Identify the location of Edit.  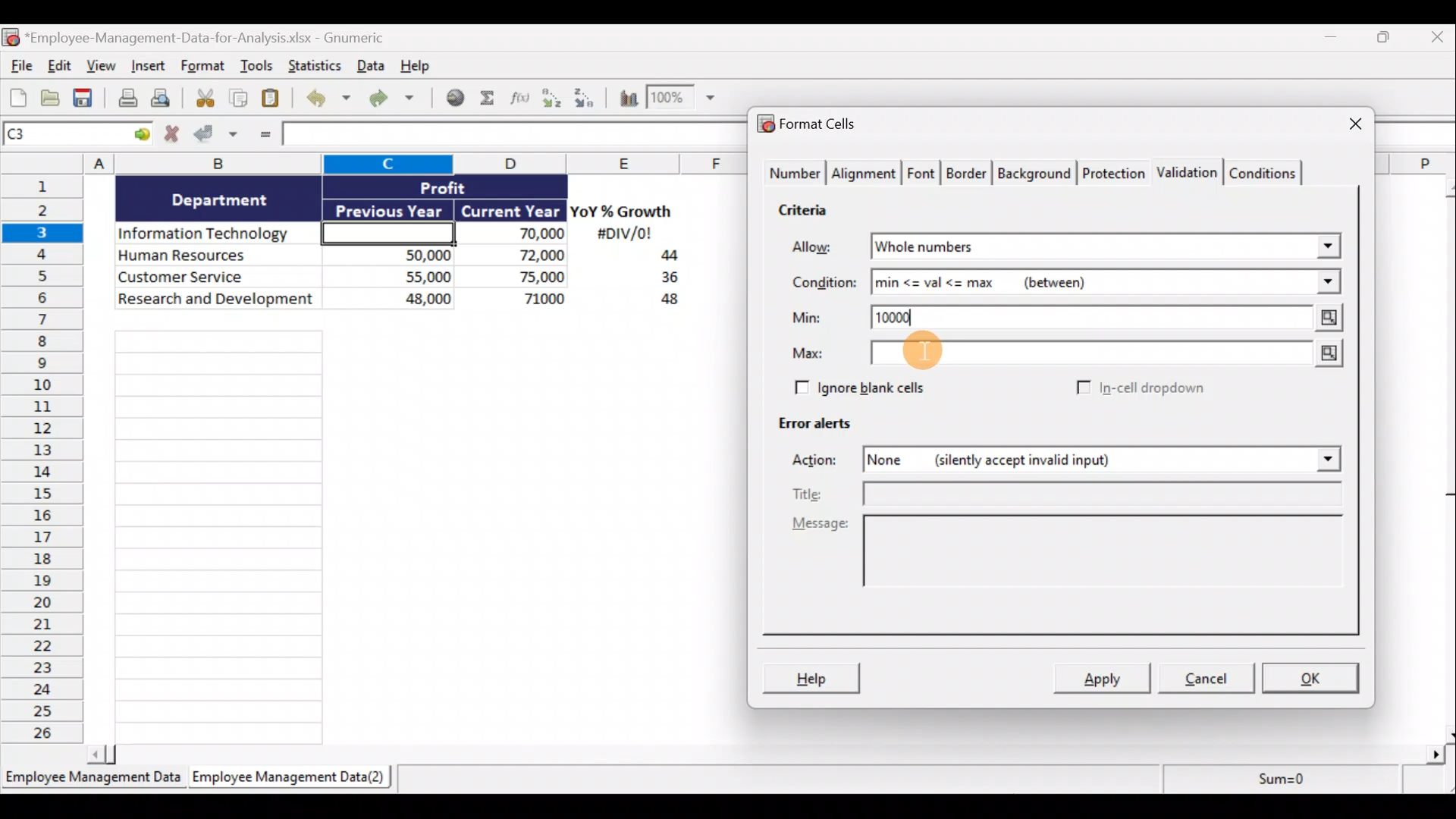
(58, 67).